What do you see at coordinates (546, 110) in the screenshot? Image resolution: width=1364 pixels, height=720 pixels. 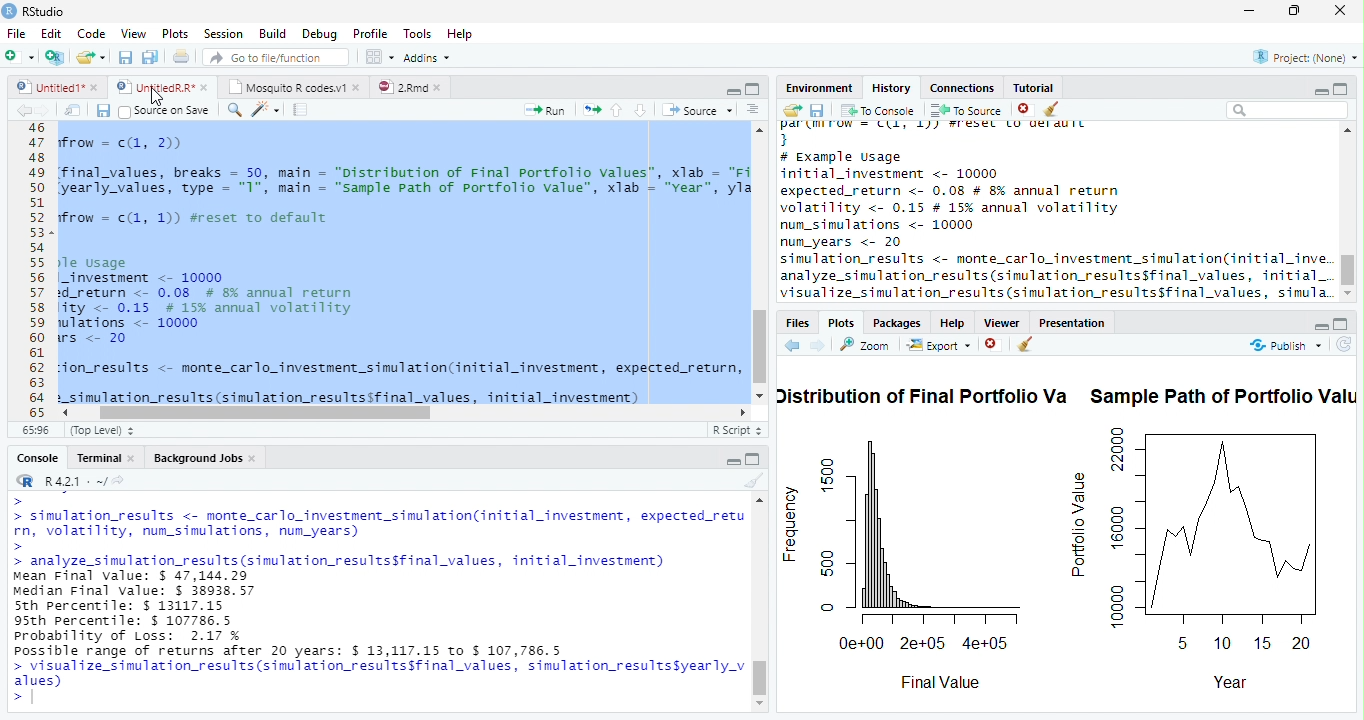 I see `Run` at bounding box center [546, 110].